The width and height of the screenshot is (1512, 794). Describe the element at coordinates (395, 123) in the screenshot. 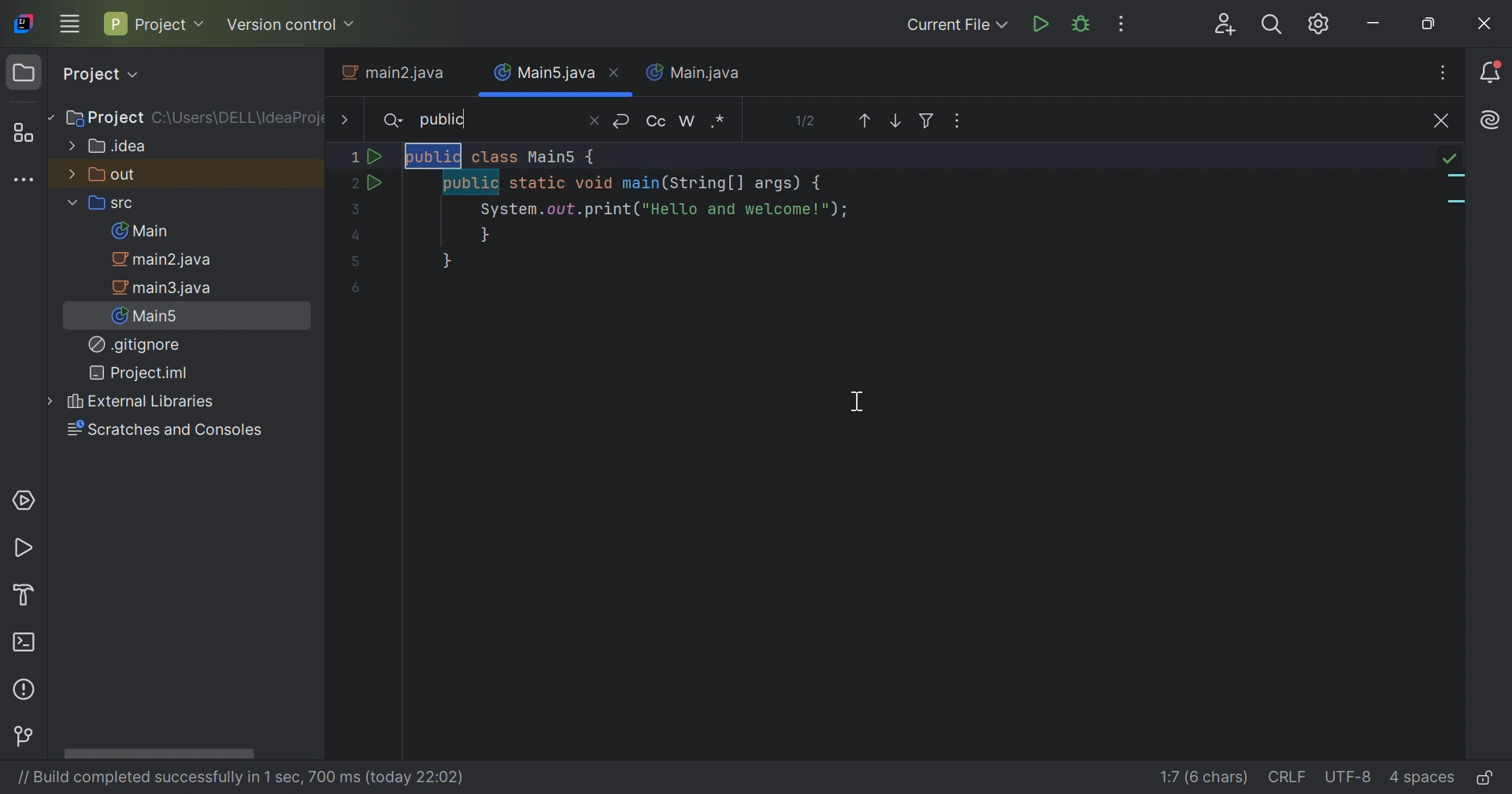

I see `Search icon` at that location.